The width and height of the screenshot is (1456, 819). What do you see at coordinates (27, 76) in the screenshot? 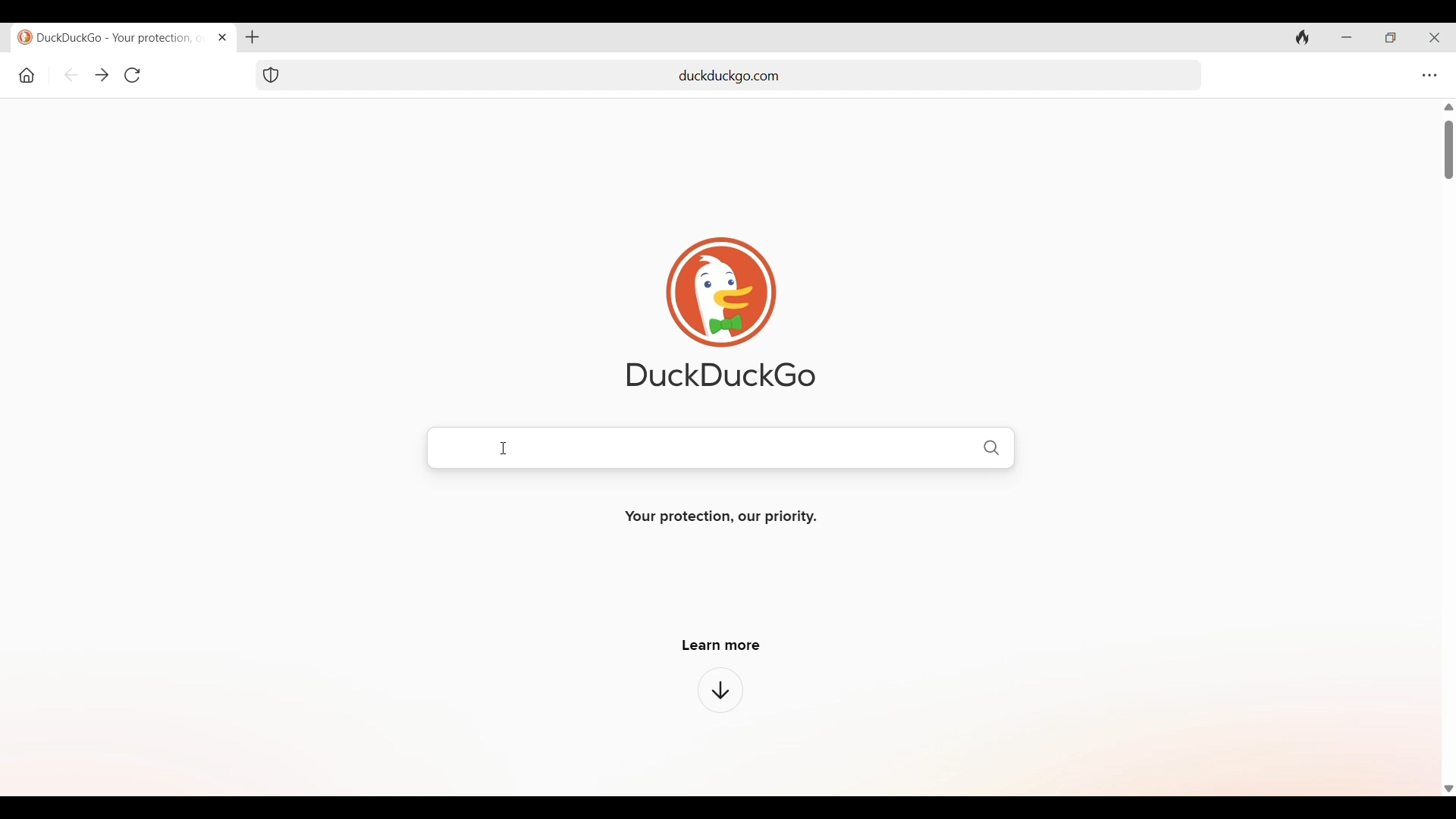
I see `Home` at bounding box center [27, 76].